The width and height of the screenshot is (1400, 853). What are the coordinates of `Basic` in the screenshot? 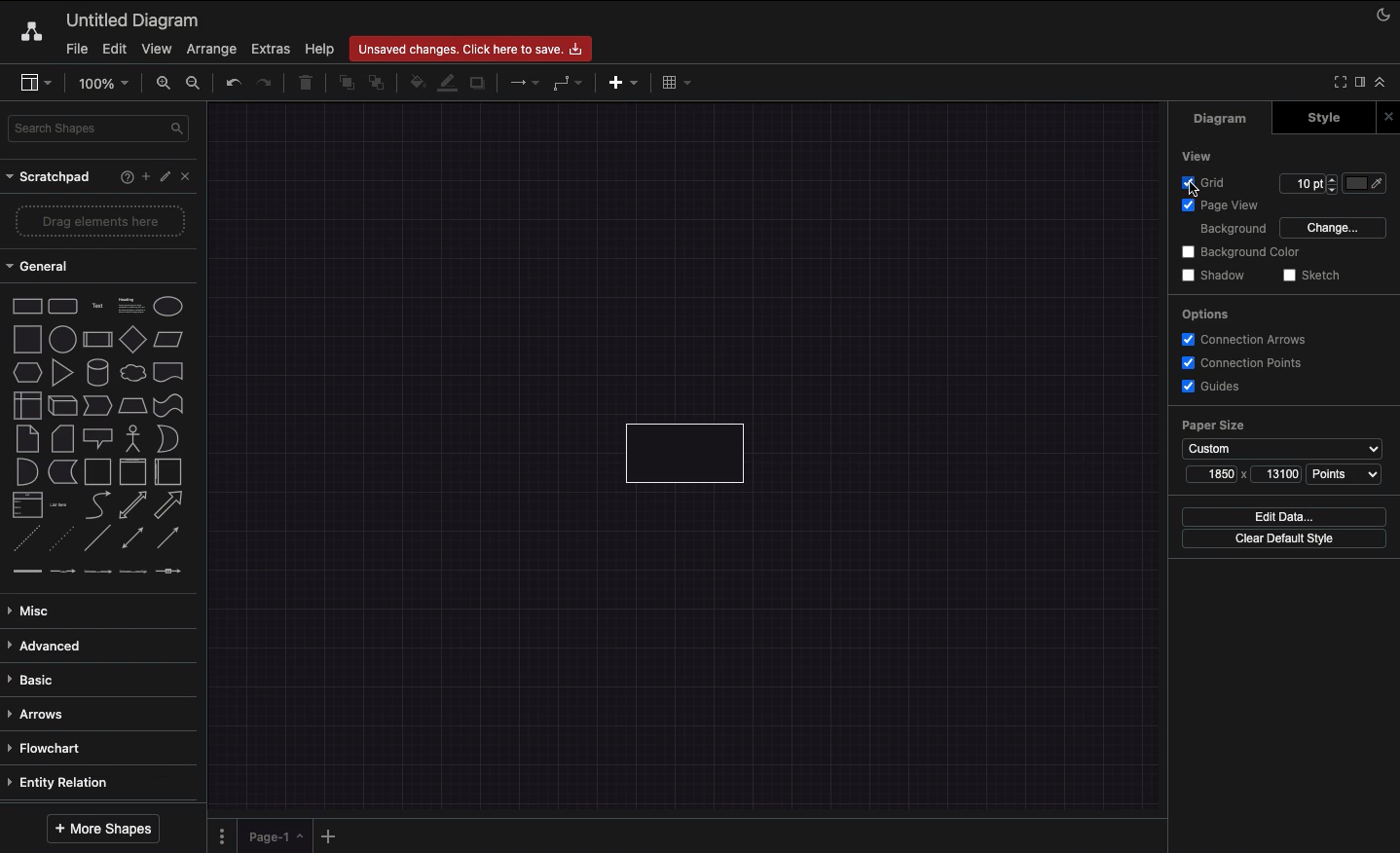 It's located at (43, 682).